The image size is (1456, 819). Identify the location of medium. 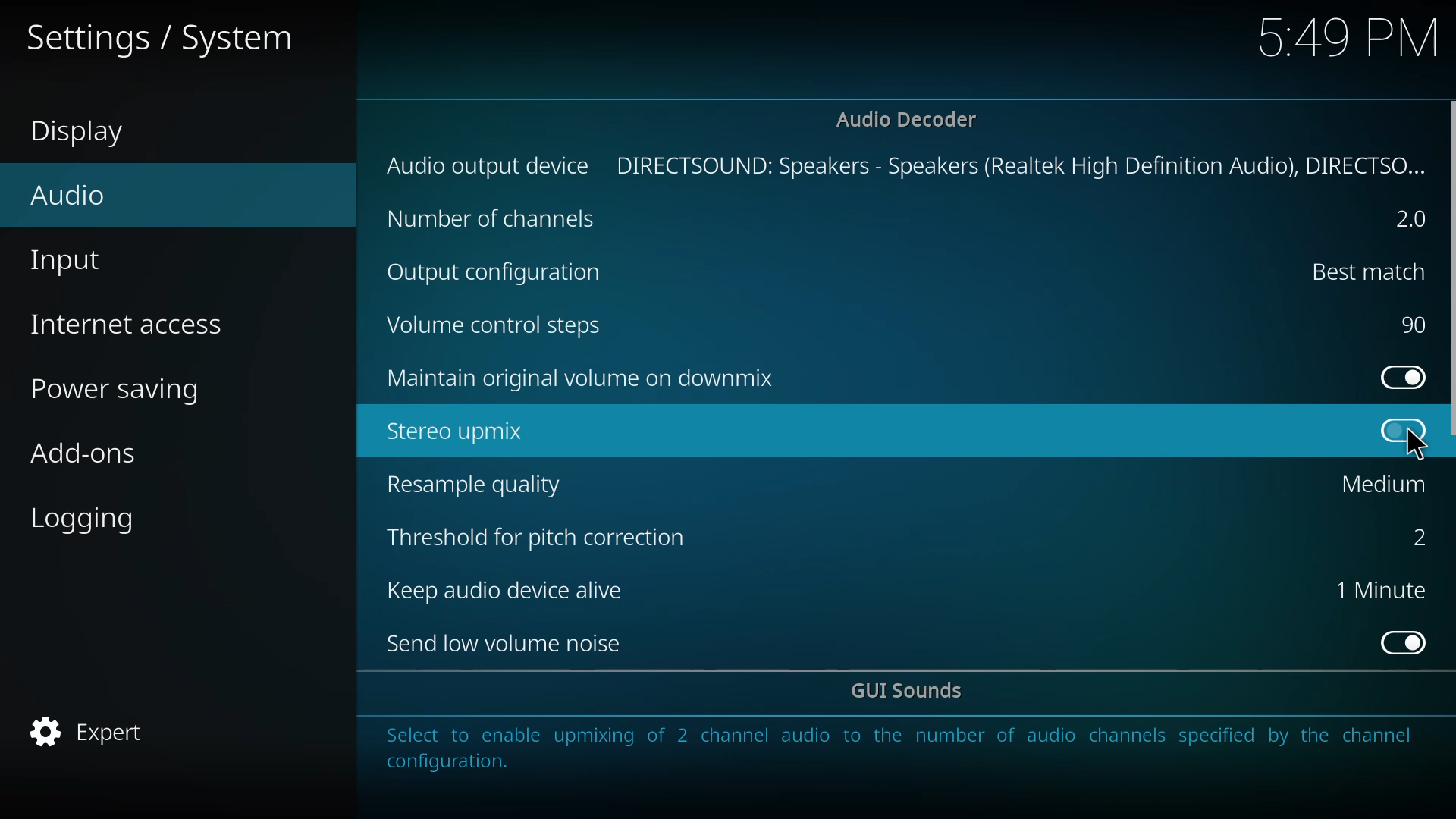
(1383, 484).